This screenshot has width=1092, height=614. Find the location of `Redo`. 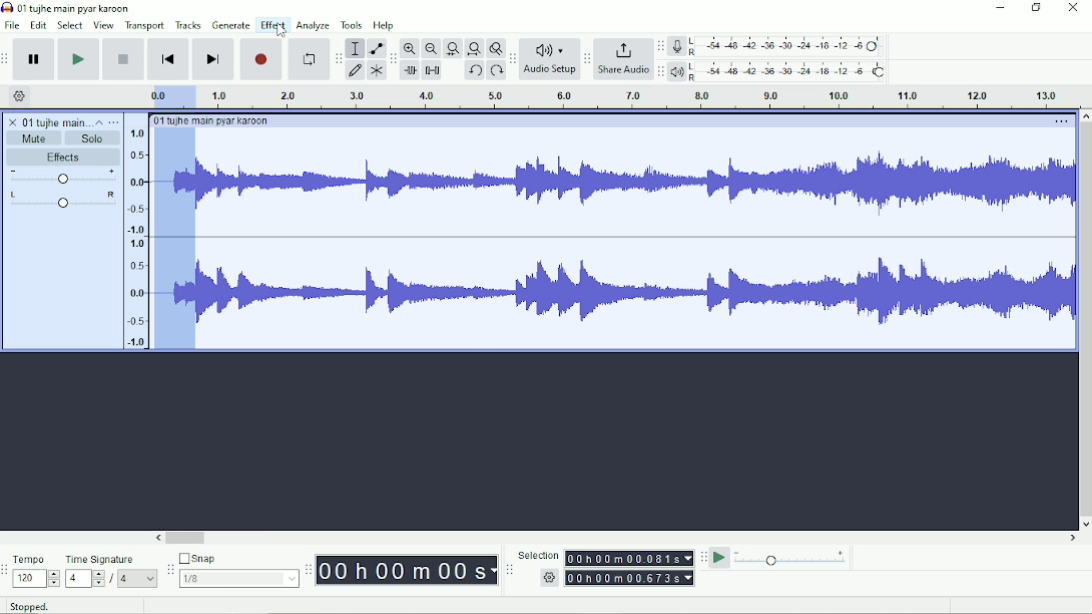

Redo is located at coordinates (496, 72).